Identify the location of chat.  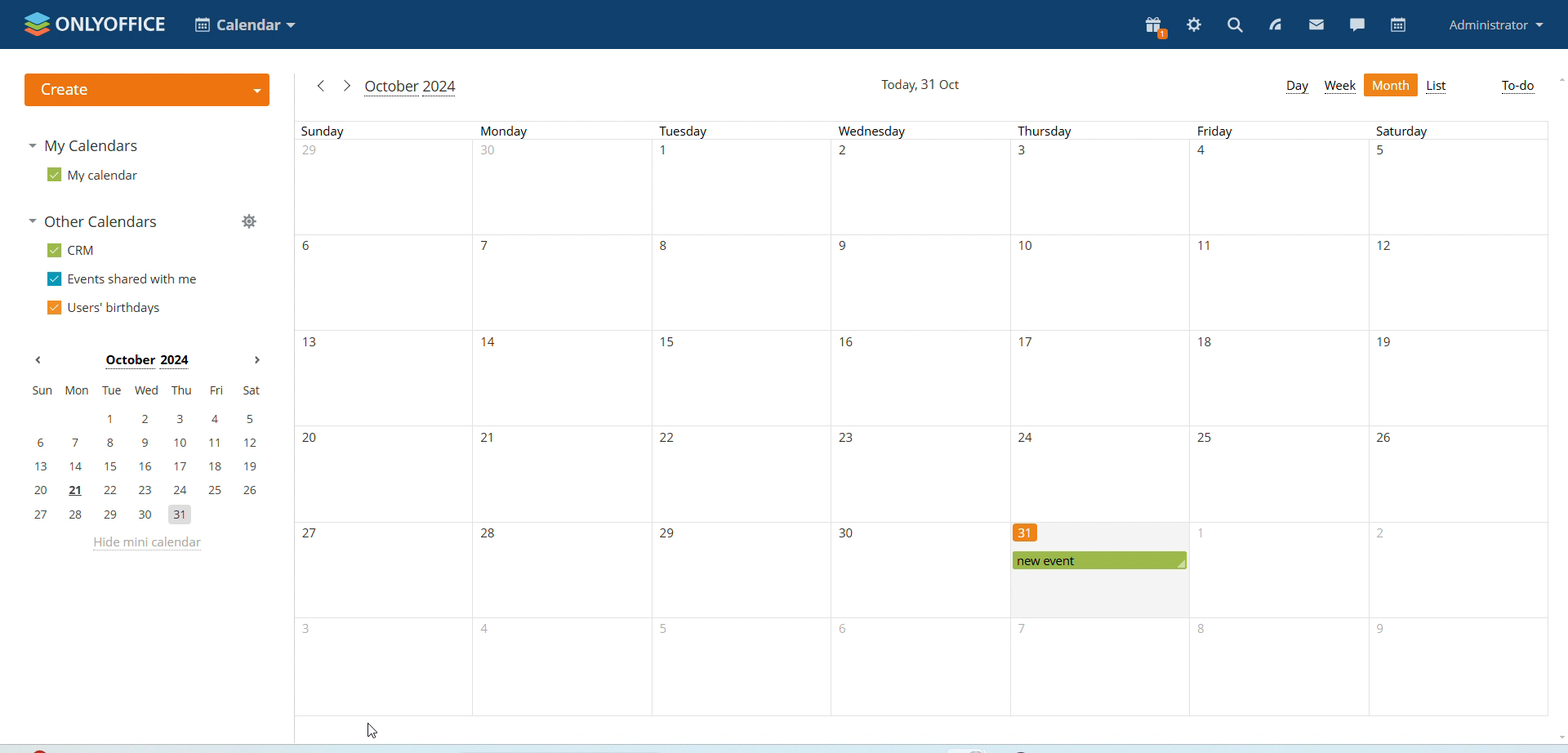
(1359, 23).